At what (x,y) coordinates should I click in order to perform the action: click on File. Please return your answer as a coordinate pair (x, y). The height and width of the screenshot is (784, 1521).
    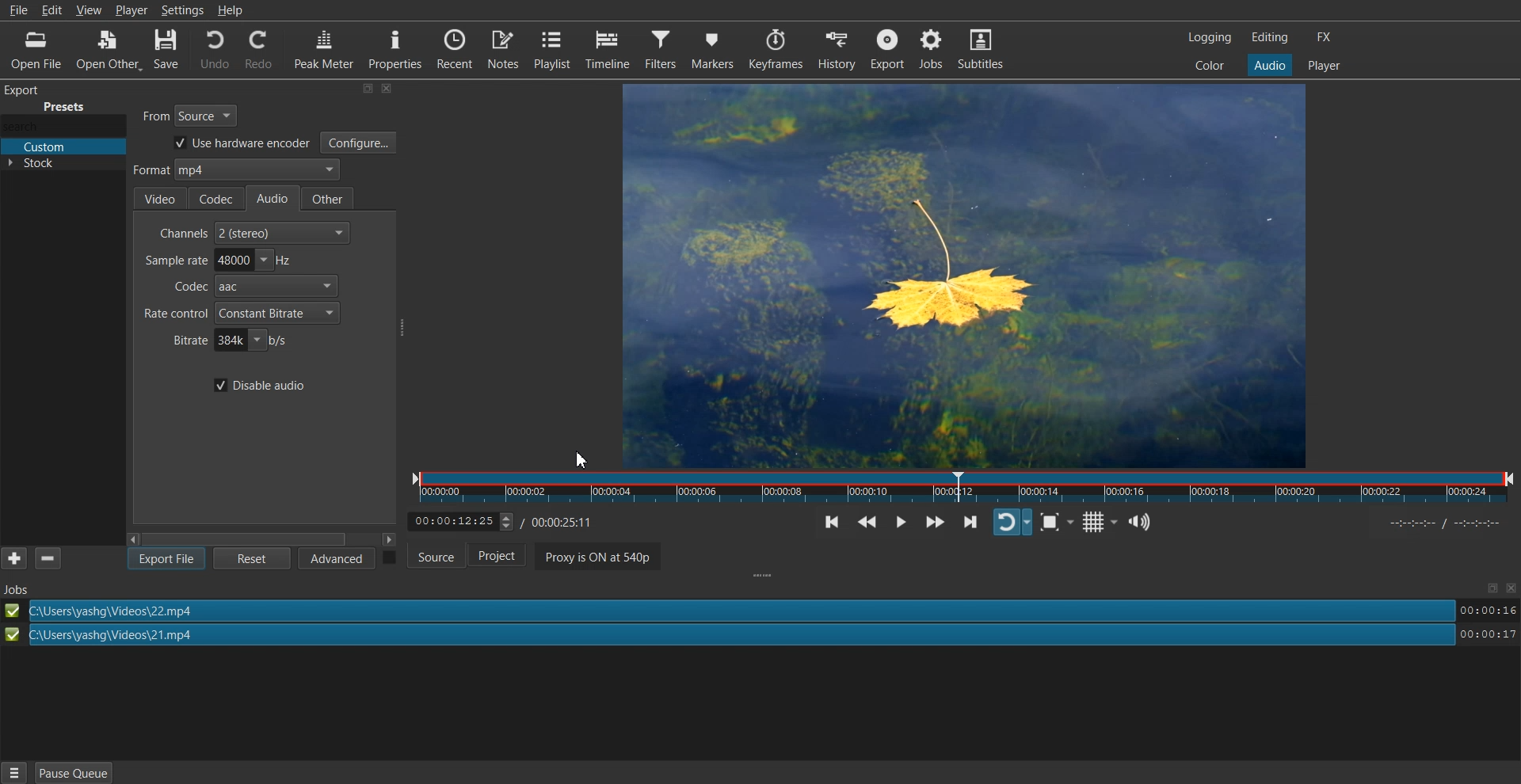
    Looking at the image, I should click on (19, 10).